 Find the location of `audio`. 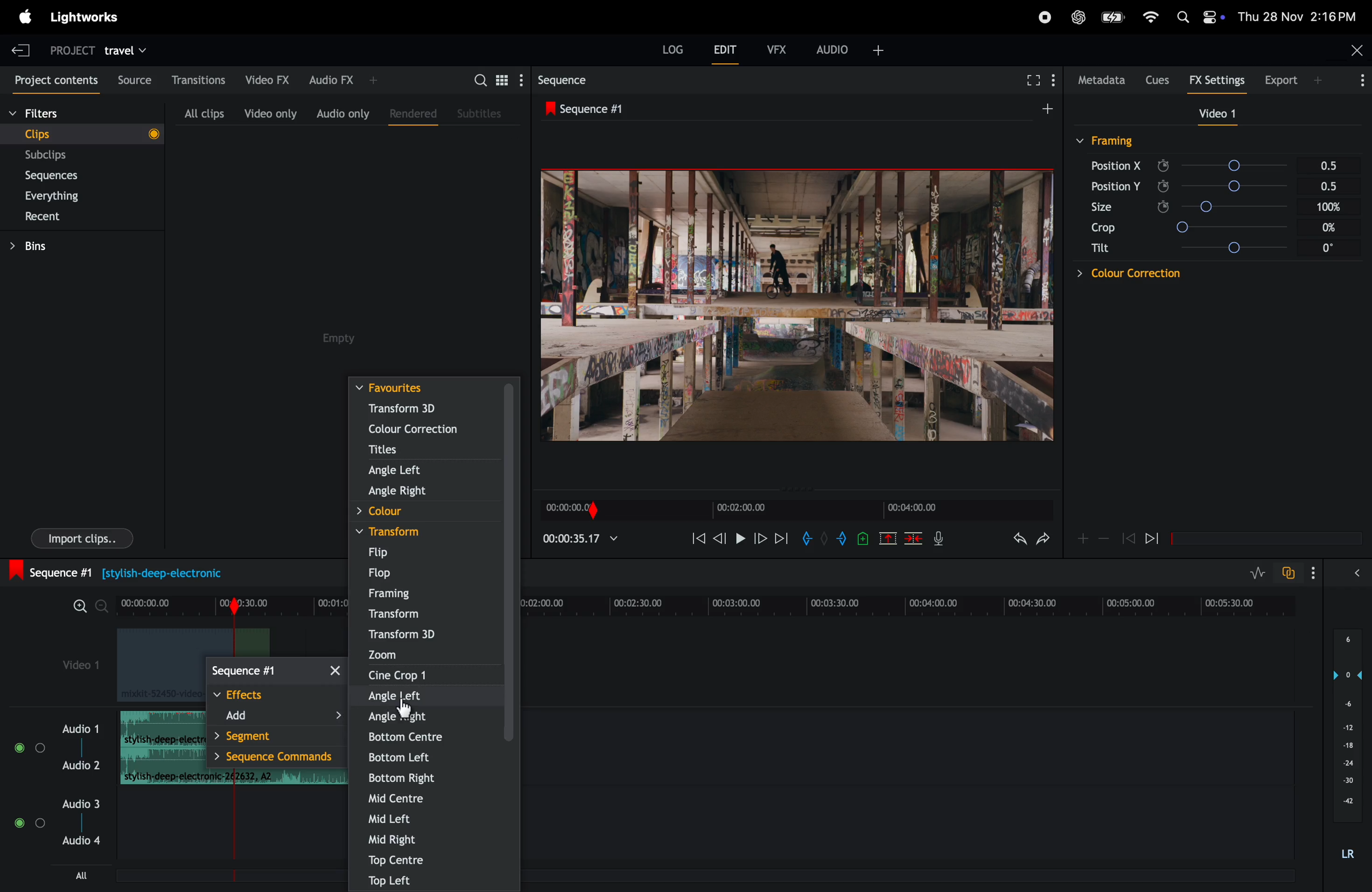

audio is located at coordinates (851, 48).